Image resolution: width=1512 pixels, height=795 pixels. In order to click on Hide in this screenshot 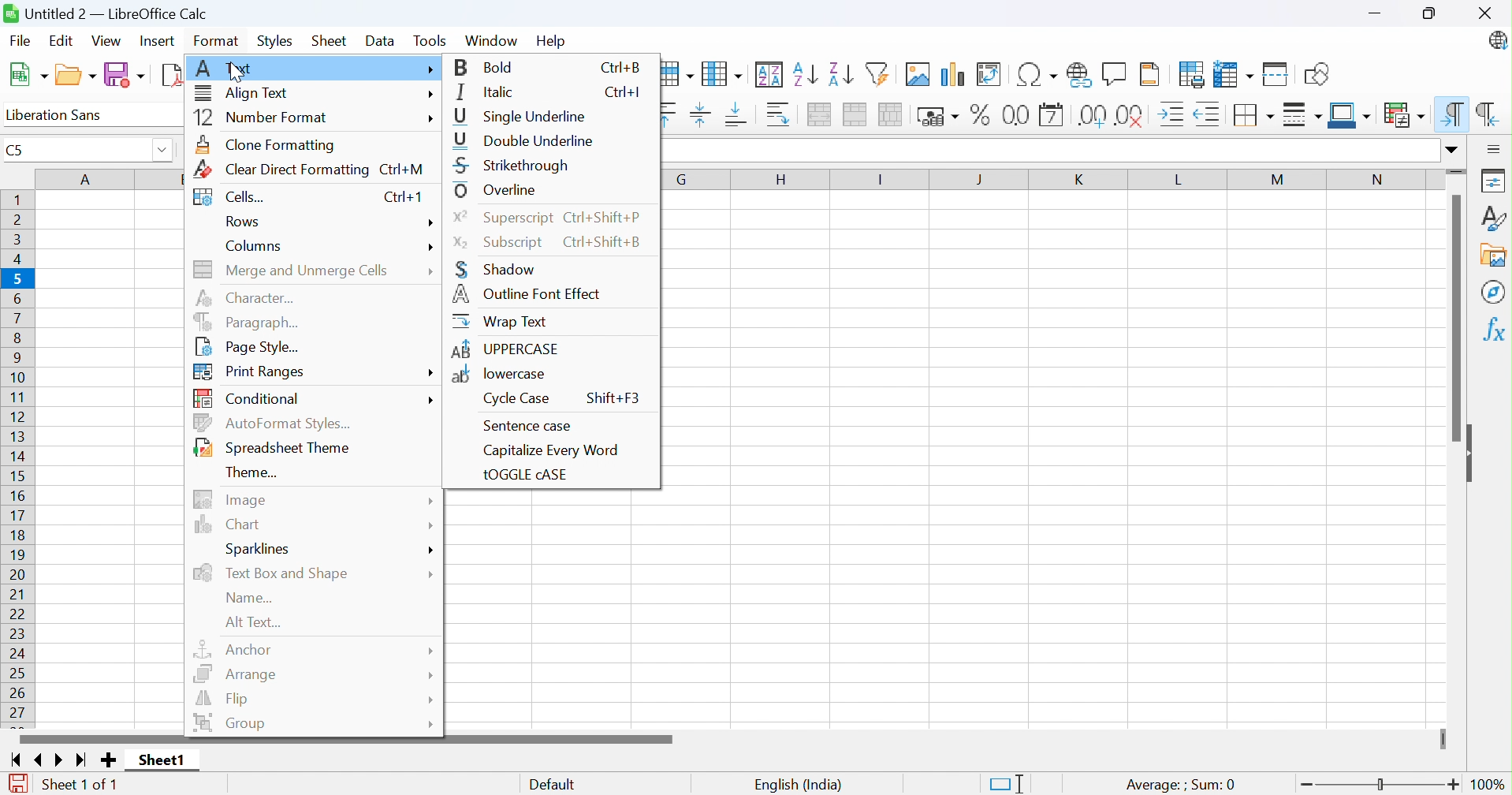, I will do `click(1472, 450)`.